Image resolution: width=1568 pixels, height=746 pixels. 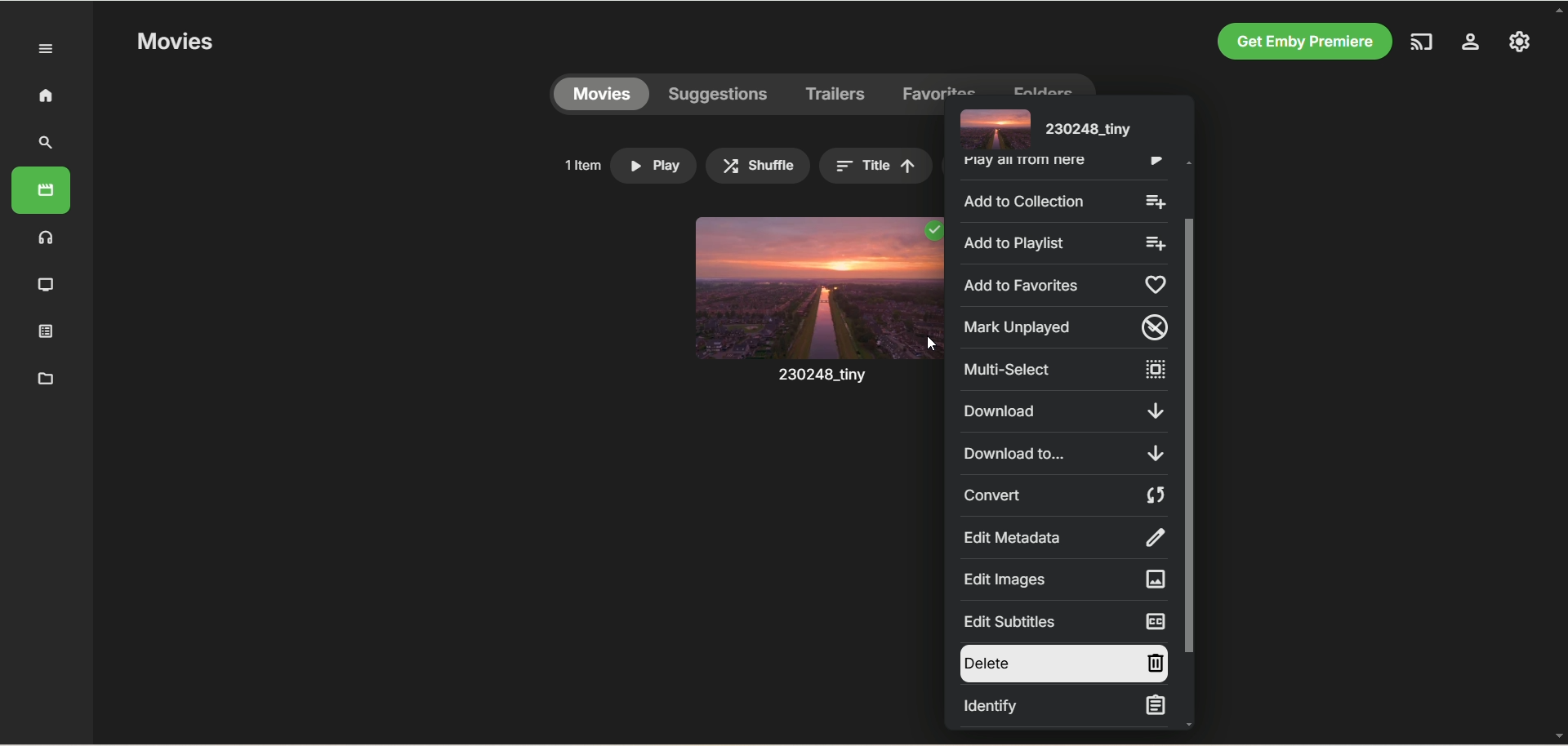 What do you see at coordinates (1062, 579) in the screenshot?
I see `edit images` at bounding box center [1062, 579].